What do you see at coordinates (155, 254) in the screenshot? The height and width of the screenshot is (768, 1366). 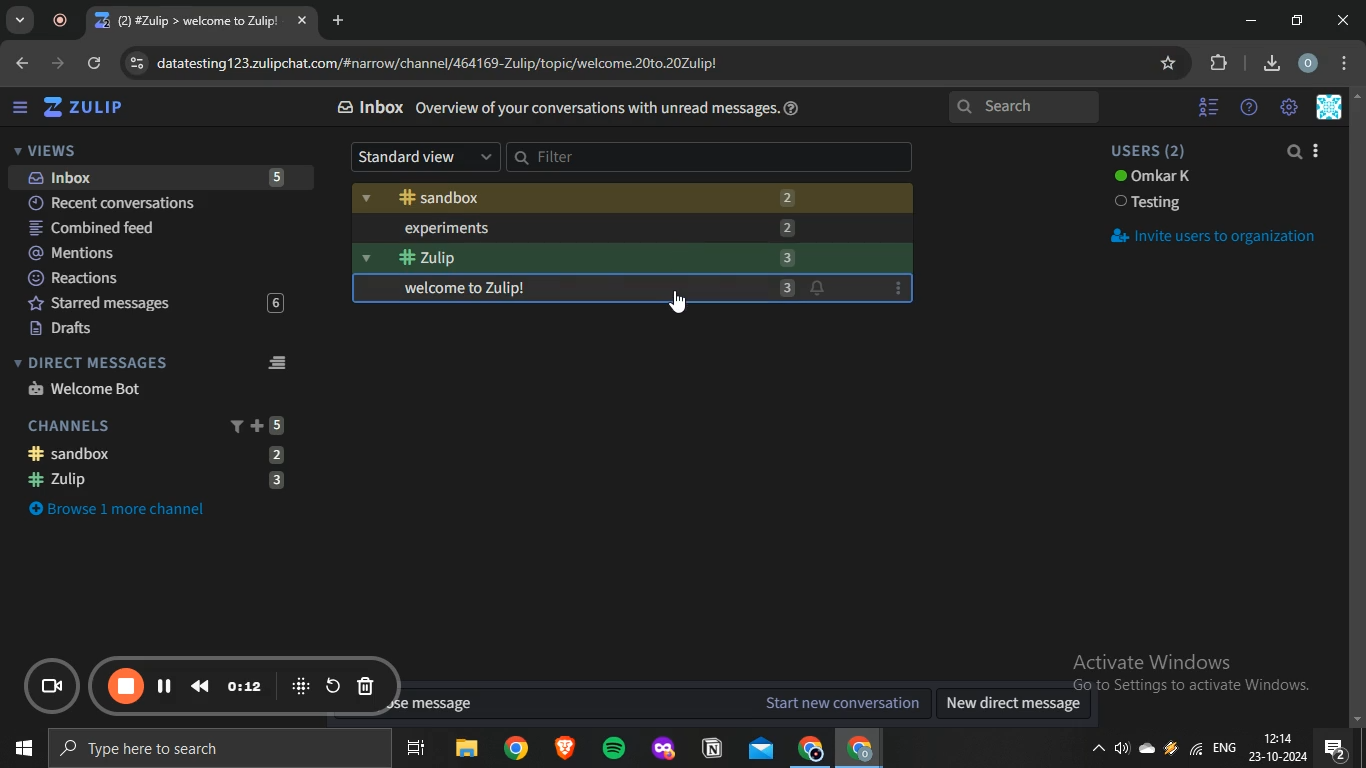 I see `mentions` at bounding box center [155, 254].